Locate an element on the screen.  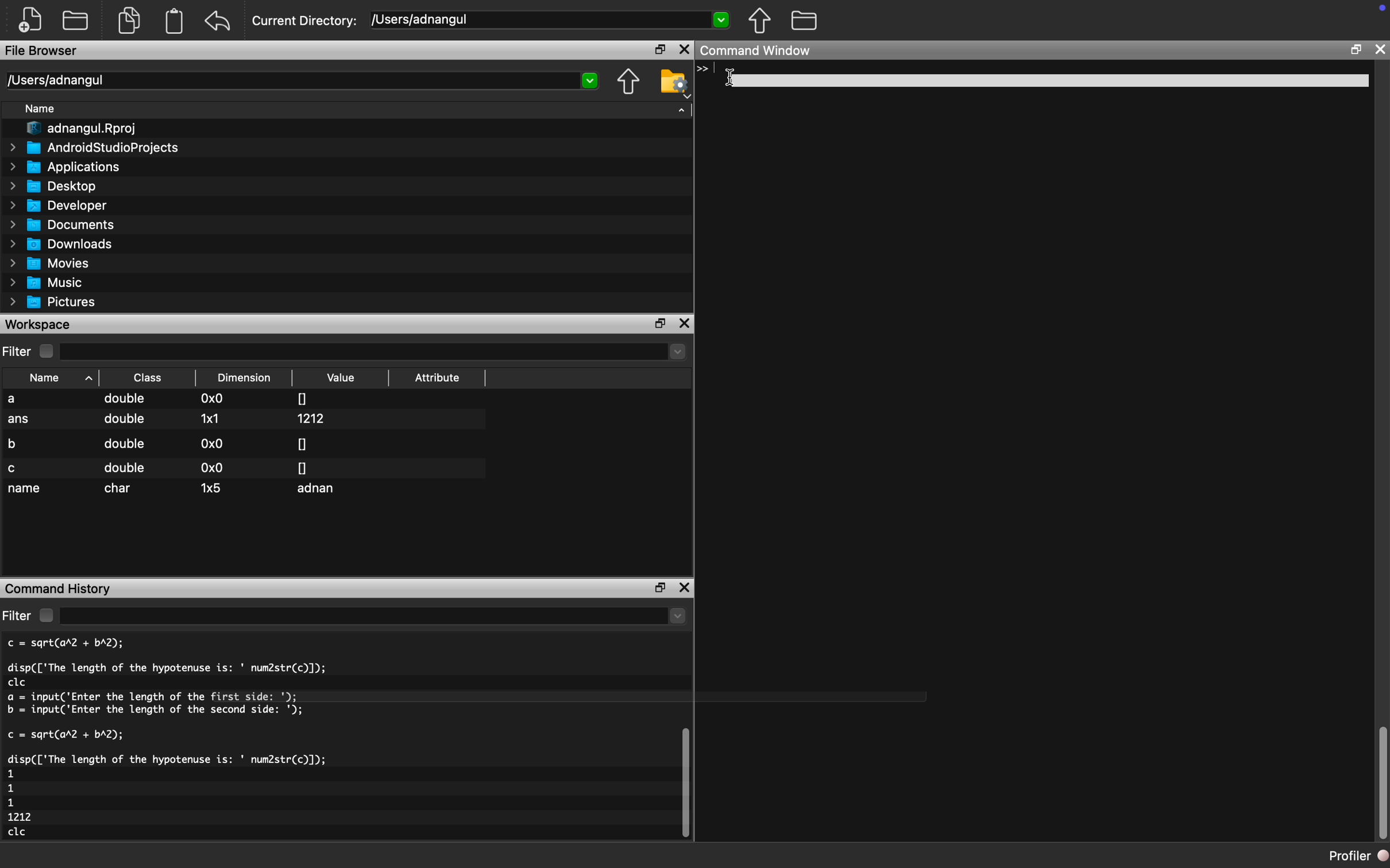
1212 is located at coordinates (314, 418).